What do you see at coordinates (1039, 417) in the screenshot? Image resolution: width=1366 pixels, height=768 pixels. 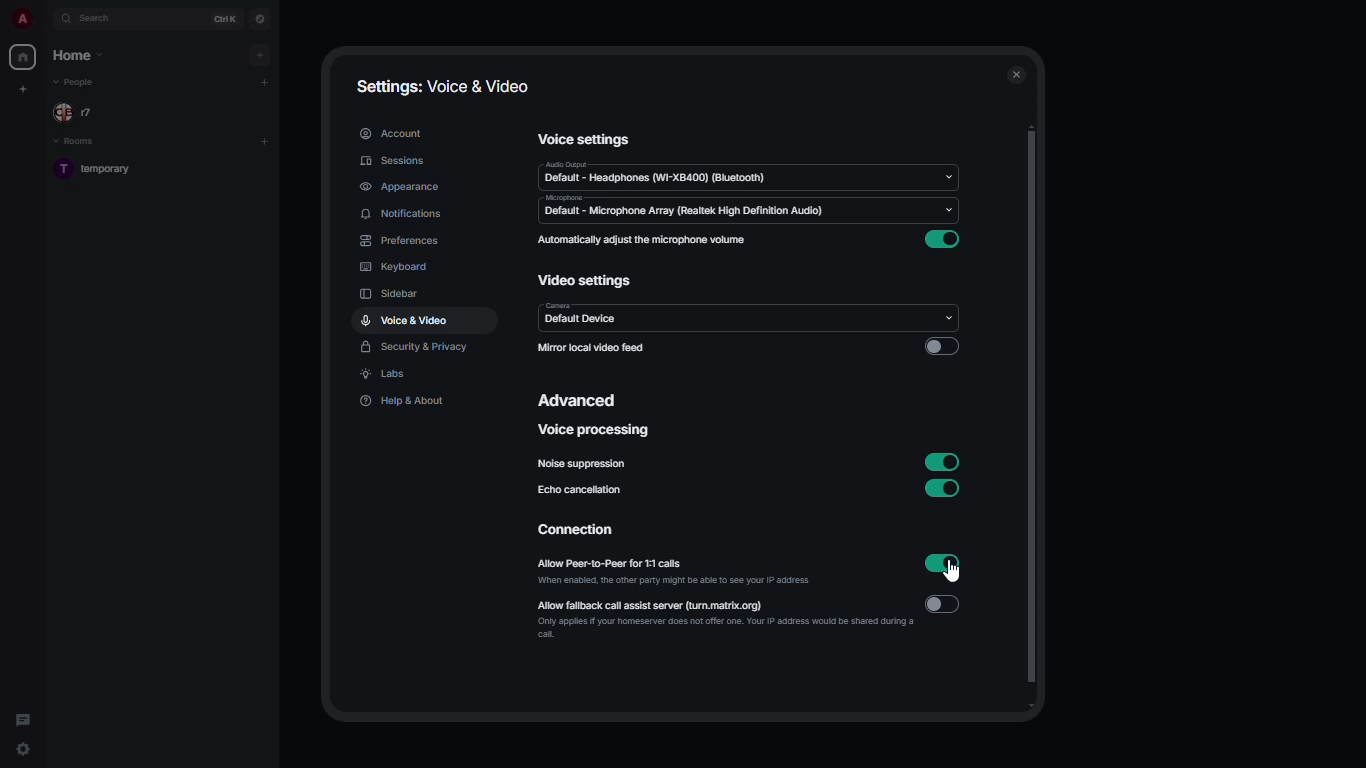 I see `scroll bar` at bounding box center [1039, 417].